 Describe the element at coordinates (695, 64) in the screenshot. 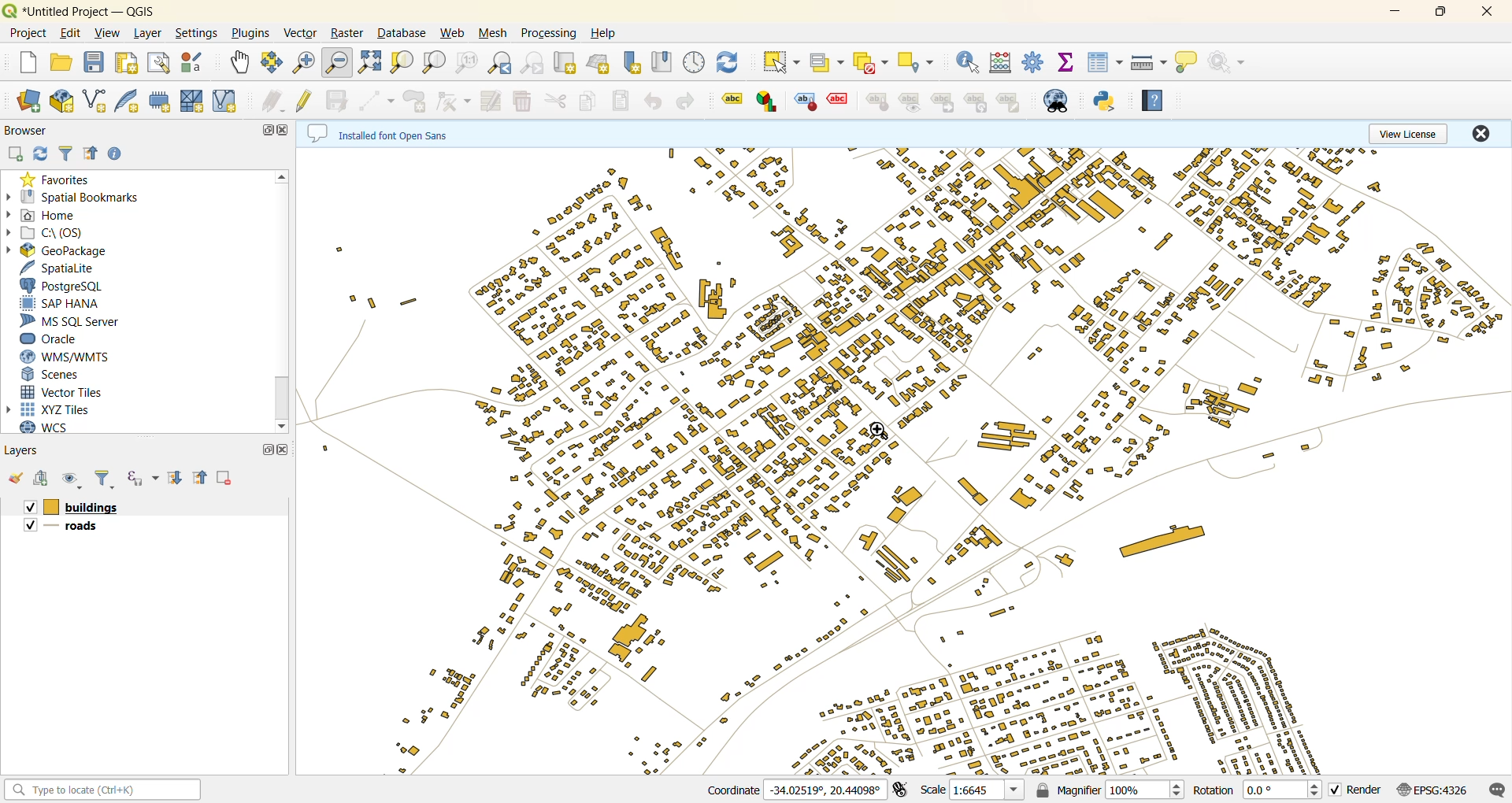

I see `control panel` at that location.